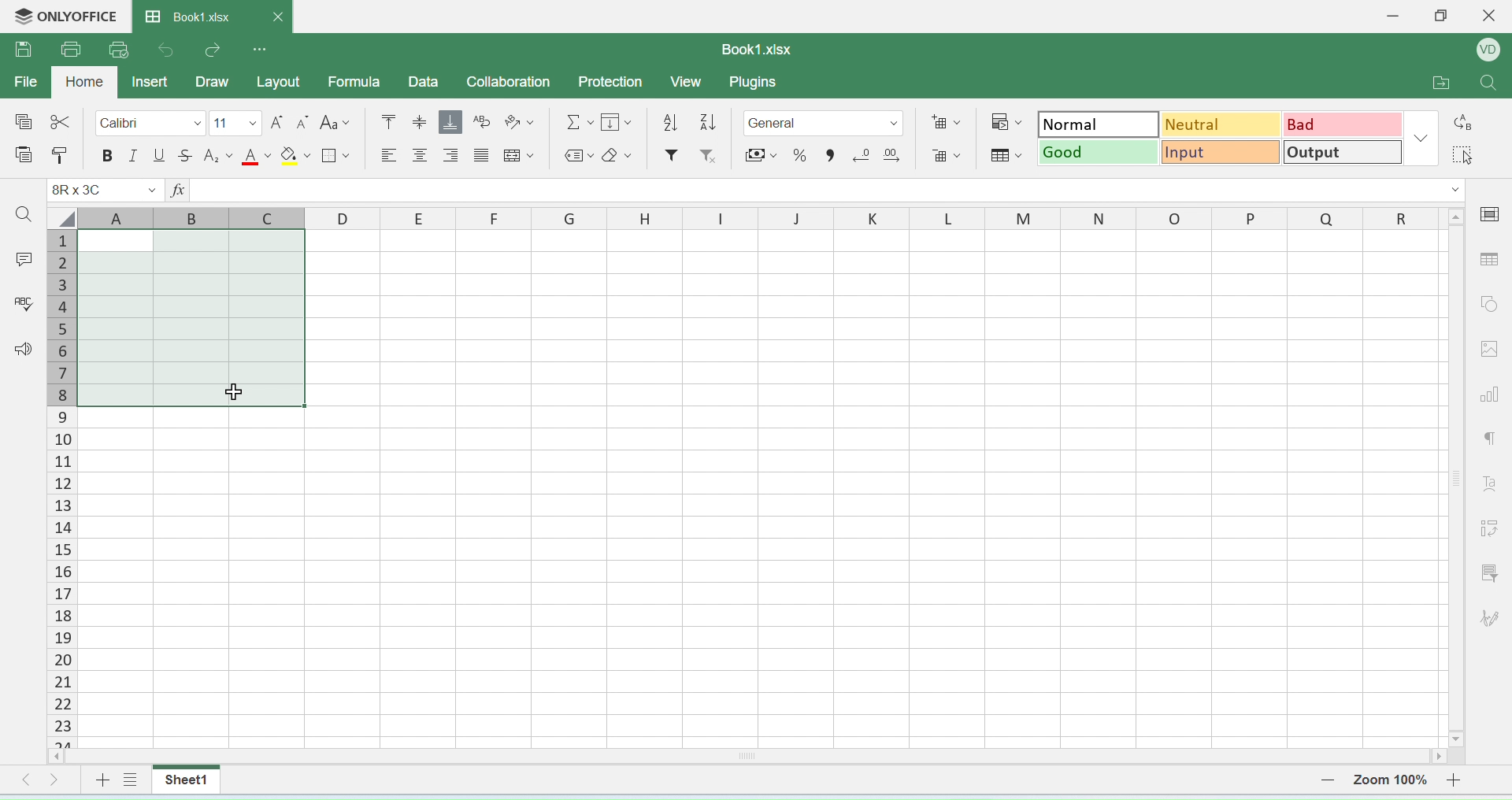 The height and width of the screenshot is (800, 1512). Describe the element at coordinates (511, 83) in the screenshot. I see `collaboration` at that location.